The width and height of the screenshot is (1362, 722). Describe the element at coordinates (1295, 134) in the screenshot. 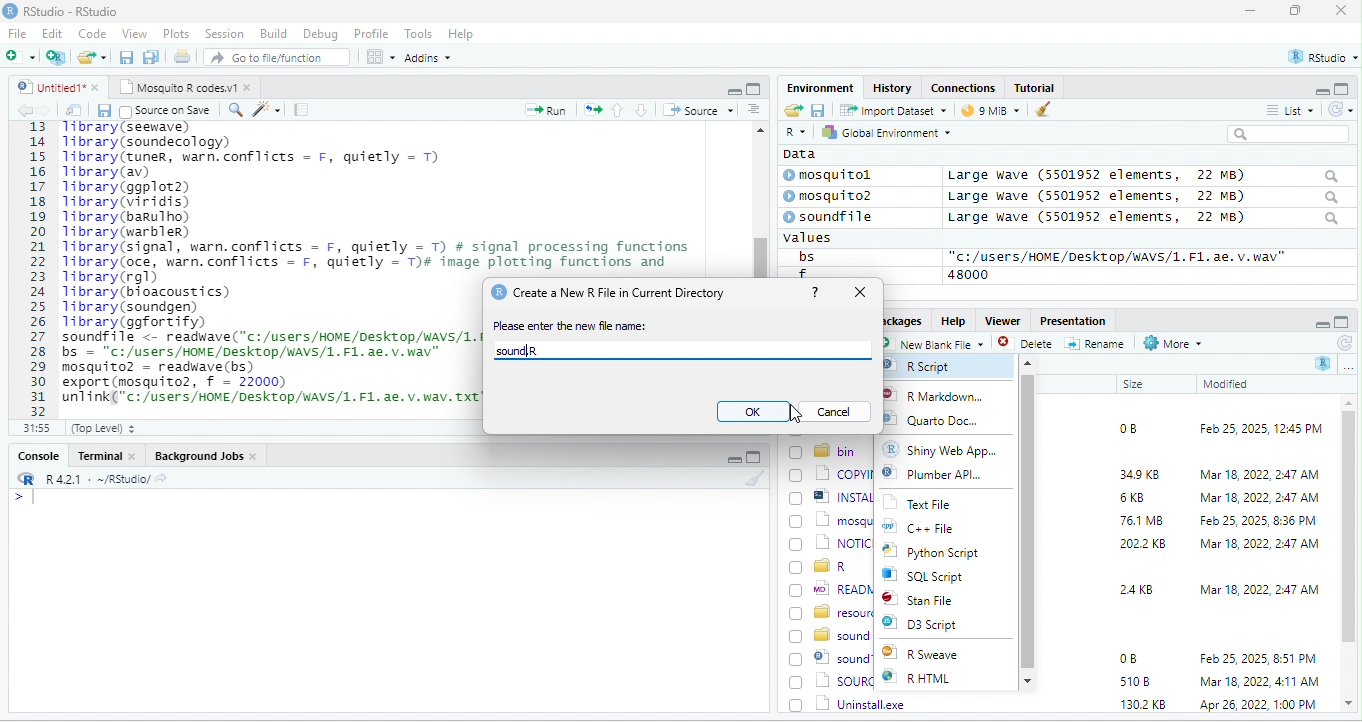

I see `search` at that location.